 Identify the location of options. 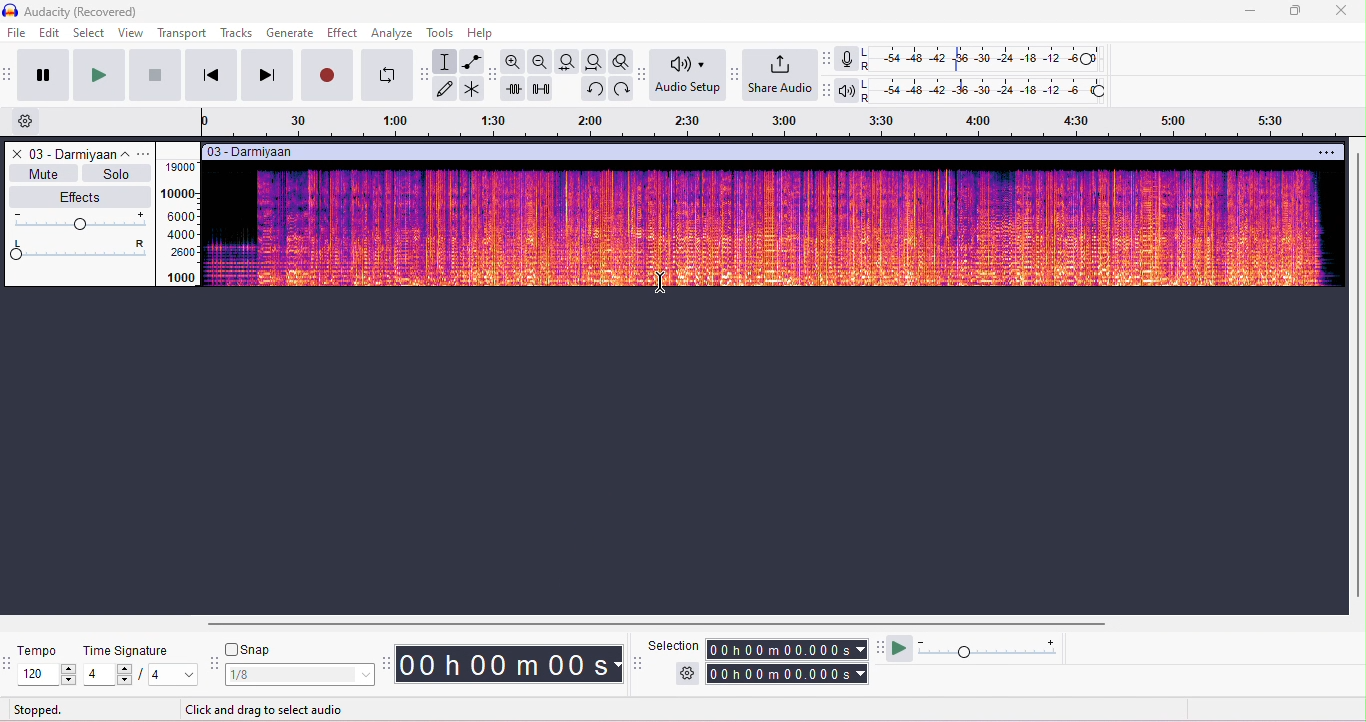
(1328, 151).